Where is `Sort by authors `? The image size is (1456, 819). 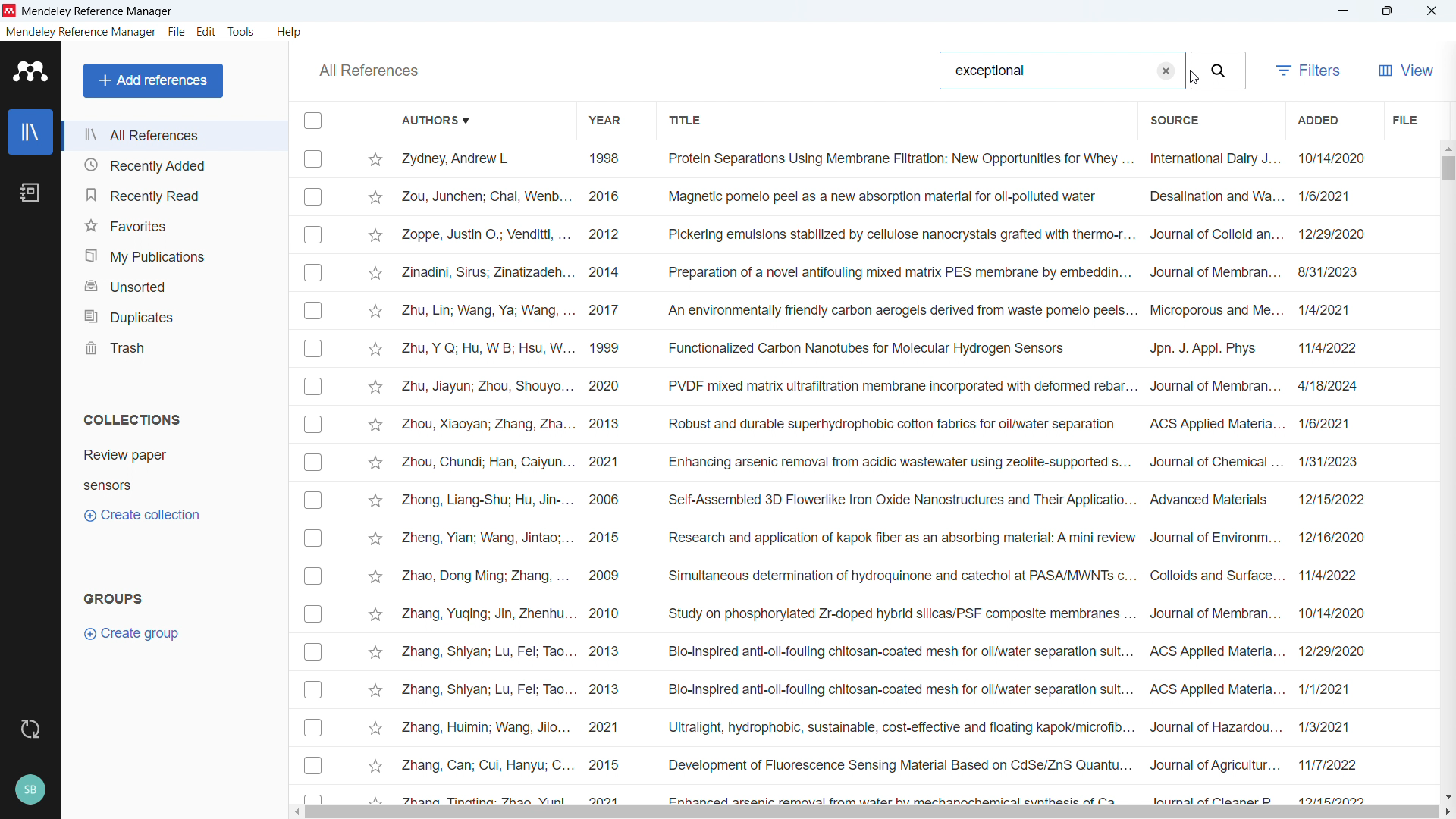
Sort by authors  is located at coordinates (432, 119).